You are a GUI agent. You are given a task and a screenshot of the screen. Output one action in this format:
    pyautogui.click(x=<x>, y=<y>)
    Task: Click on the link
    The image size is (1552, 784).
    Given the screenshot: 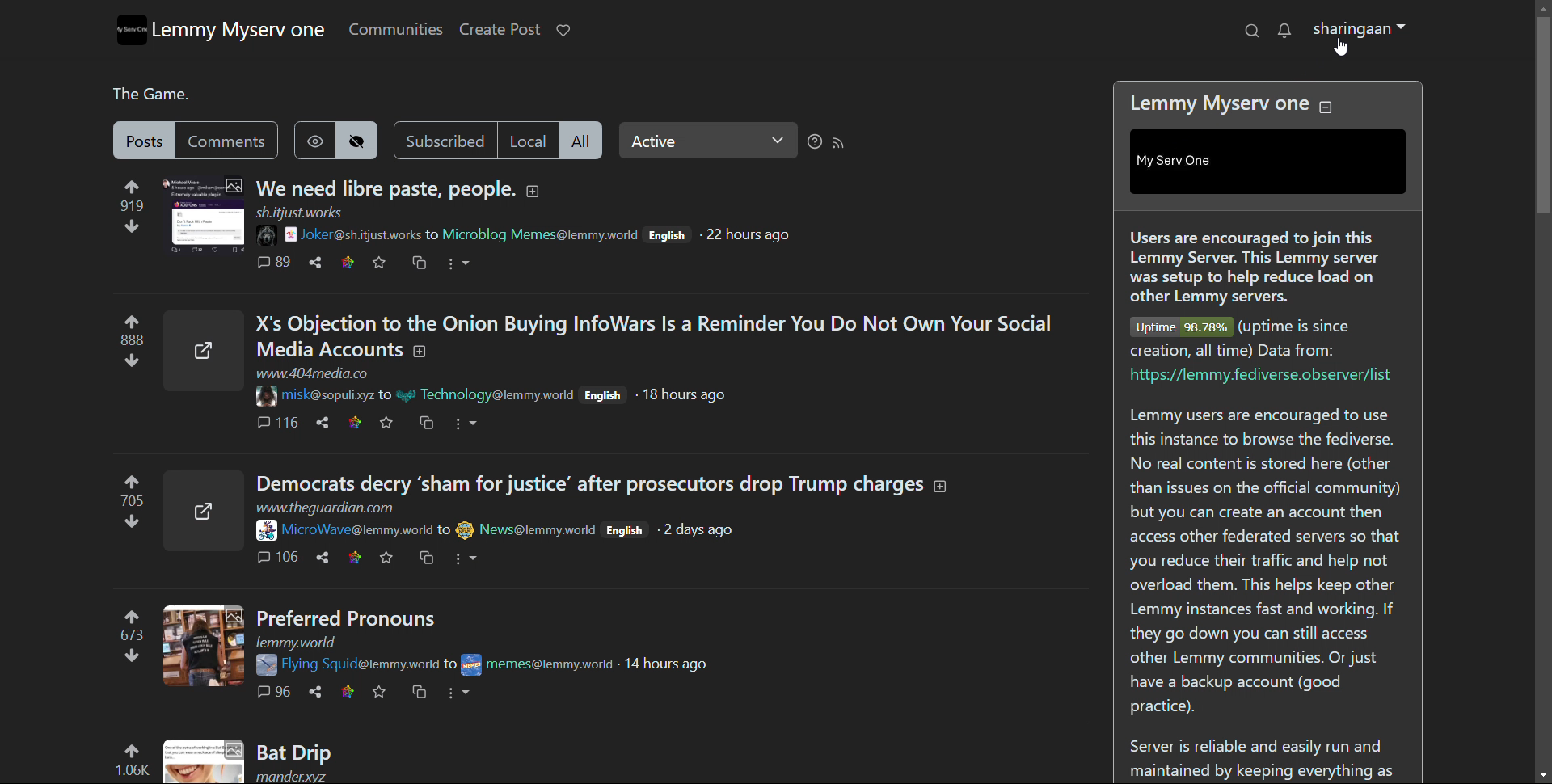 What is the action you would take?
    pyautogui.click(x=347, y=263)
    